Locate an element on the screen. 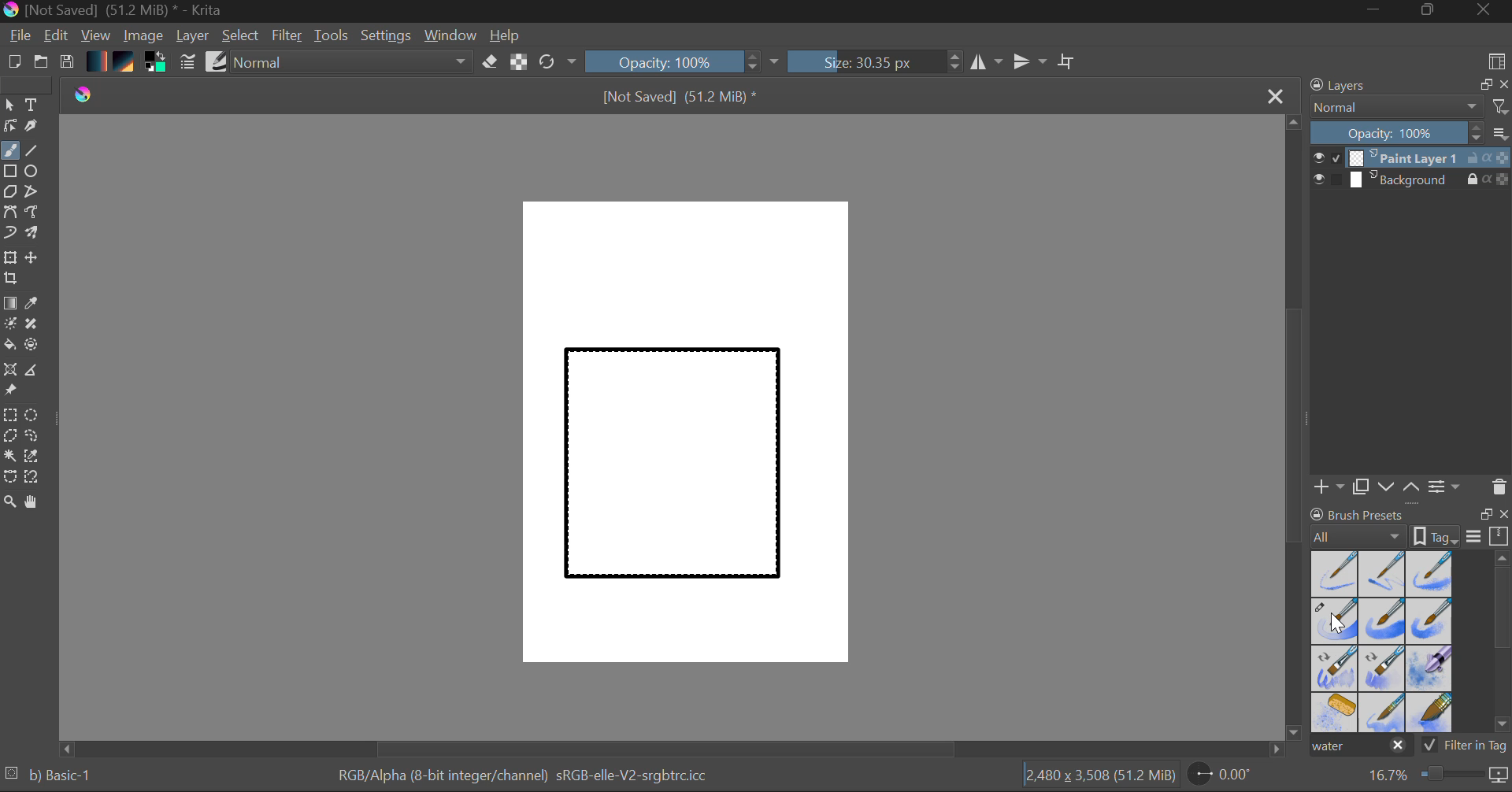 The image size is (1512, 792). Water C - Grain Tilt is located at coordinates (1336, 668).